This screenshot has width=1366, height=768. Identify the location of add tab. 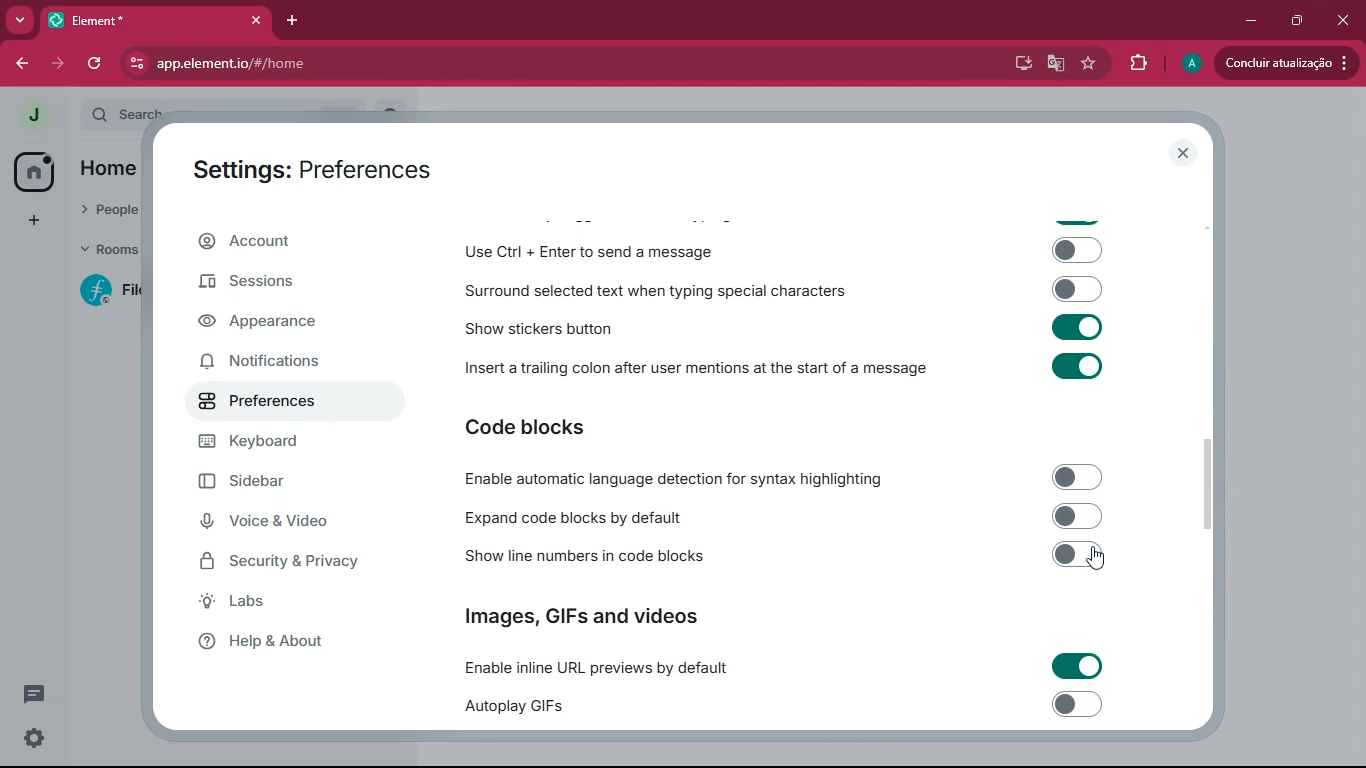
(290, 22).